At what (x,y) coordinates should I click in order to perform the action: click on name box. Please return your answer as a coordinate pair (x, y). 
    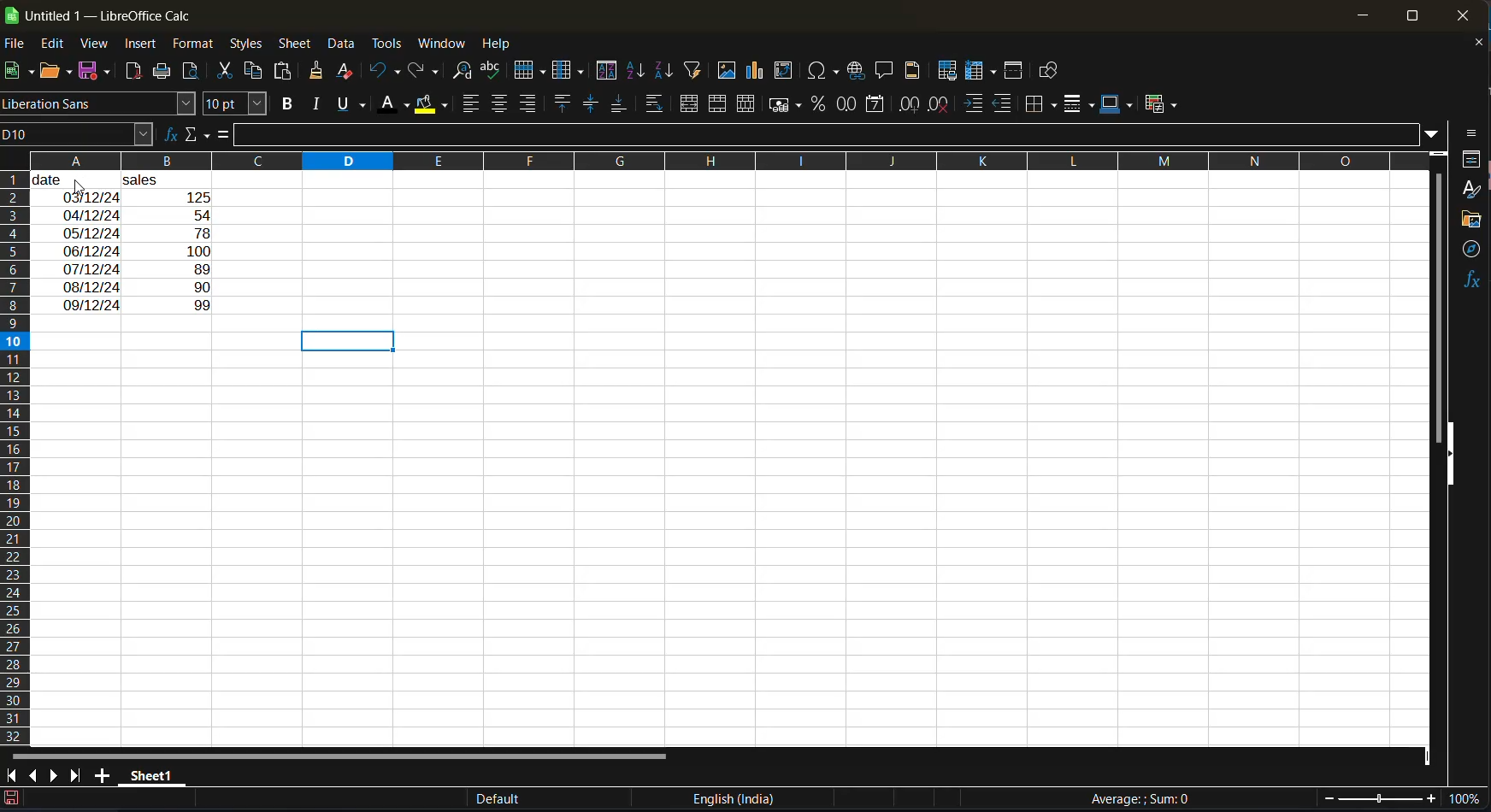
    Looking at the image, I should click on (79, 135).